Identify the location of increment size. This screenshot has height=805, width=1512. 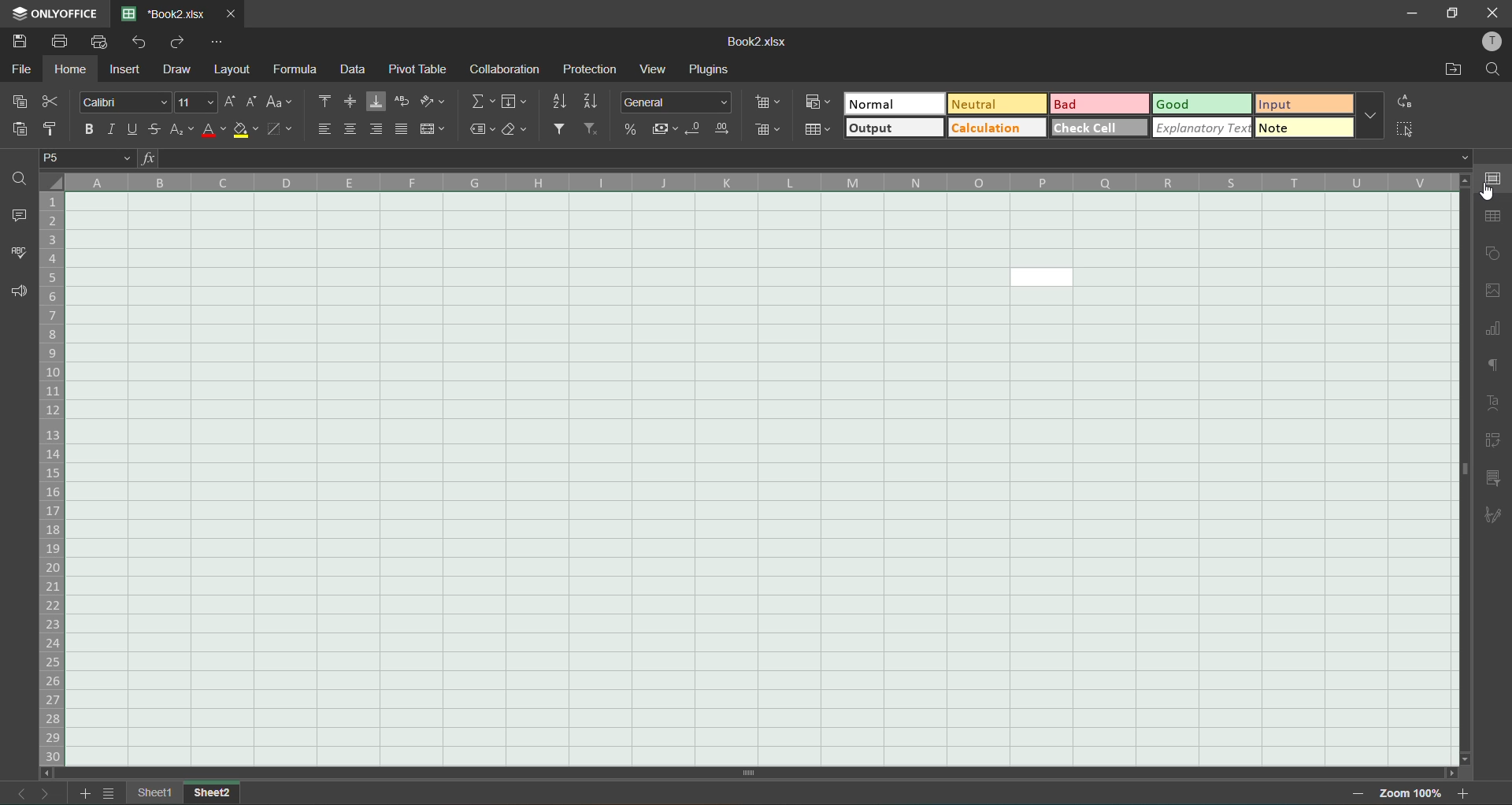
(232, 103).